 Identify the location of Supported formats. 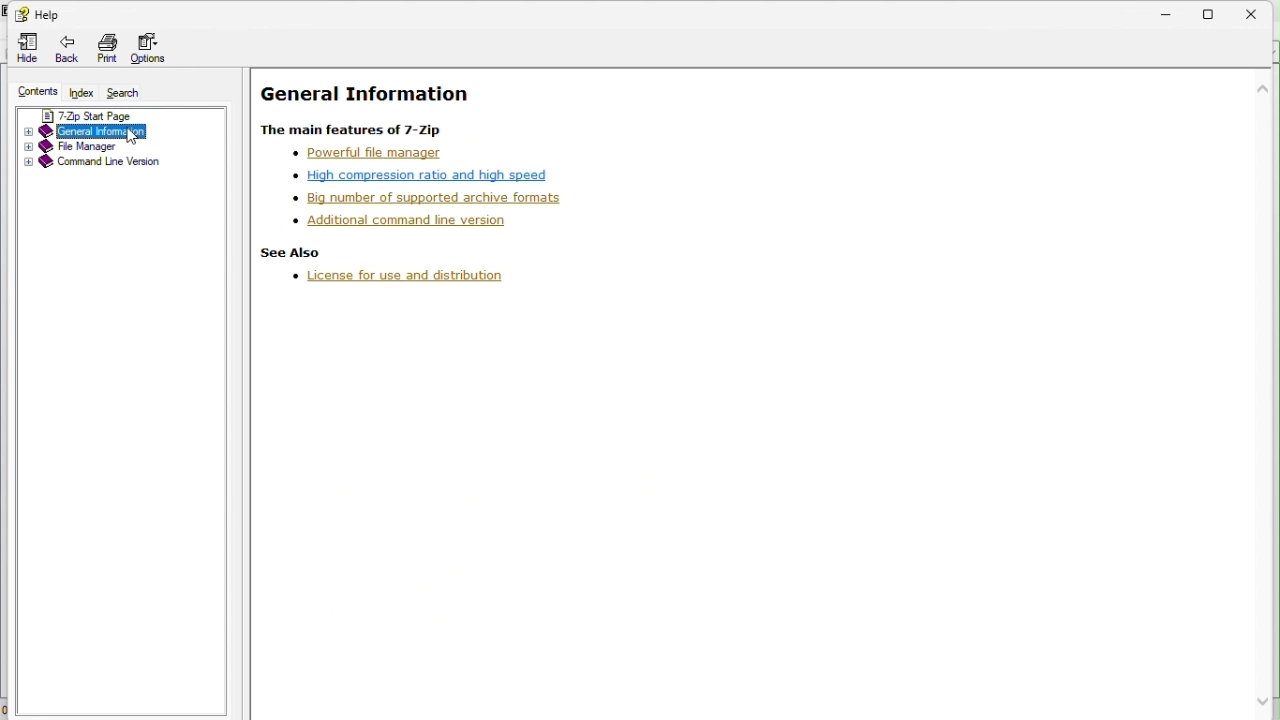
(426, 200).